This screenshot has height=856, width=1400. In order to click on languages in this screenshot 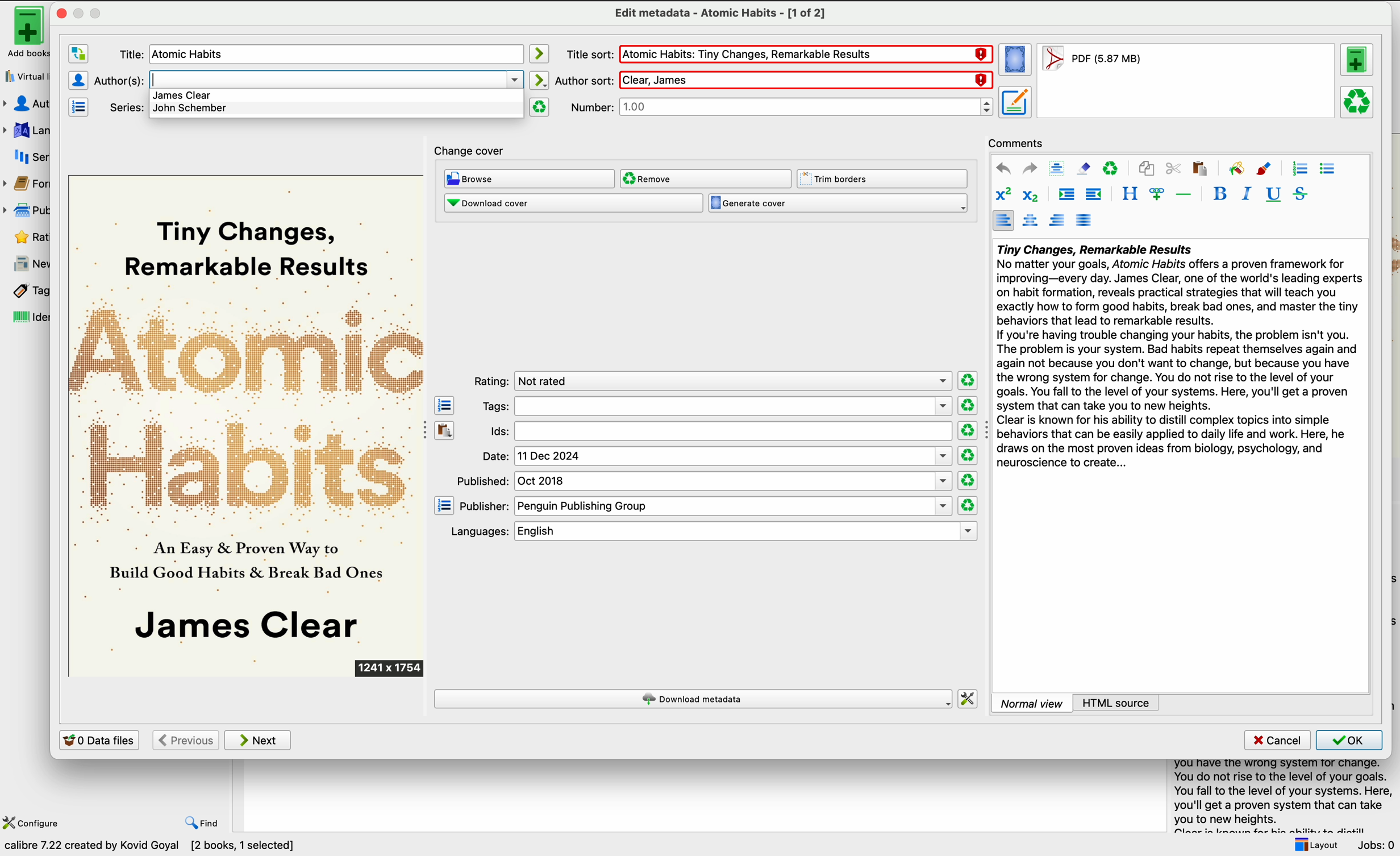, I will do `click(26, 129)`.